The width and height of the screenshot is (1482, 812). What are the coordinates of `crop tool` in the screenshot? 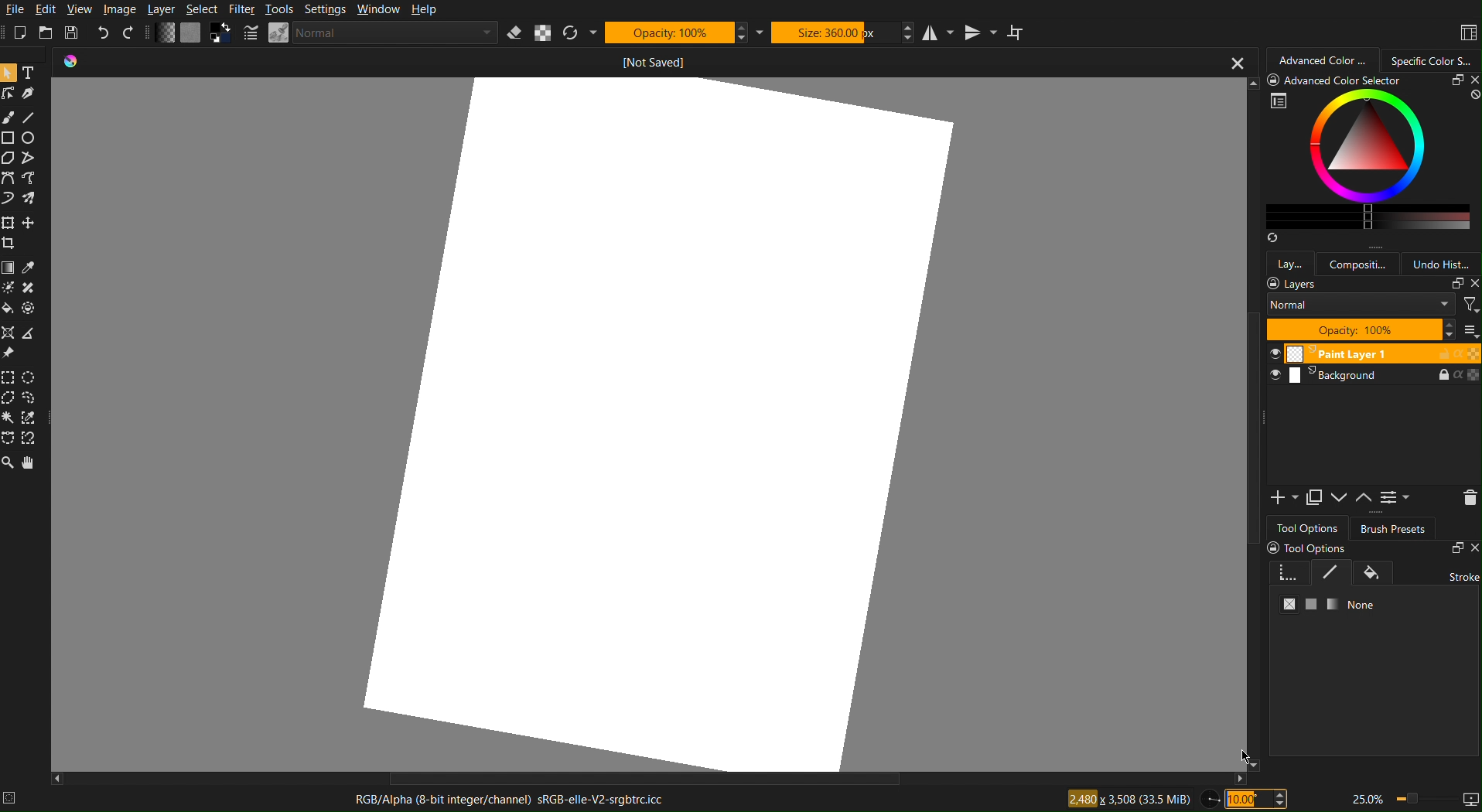 It's located at (9, 244).